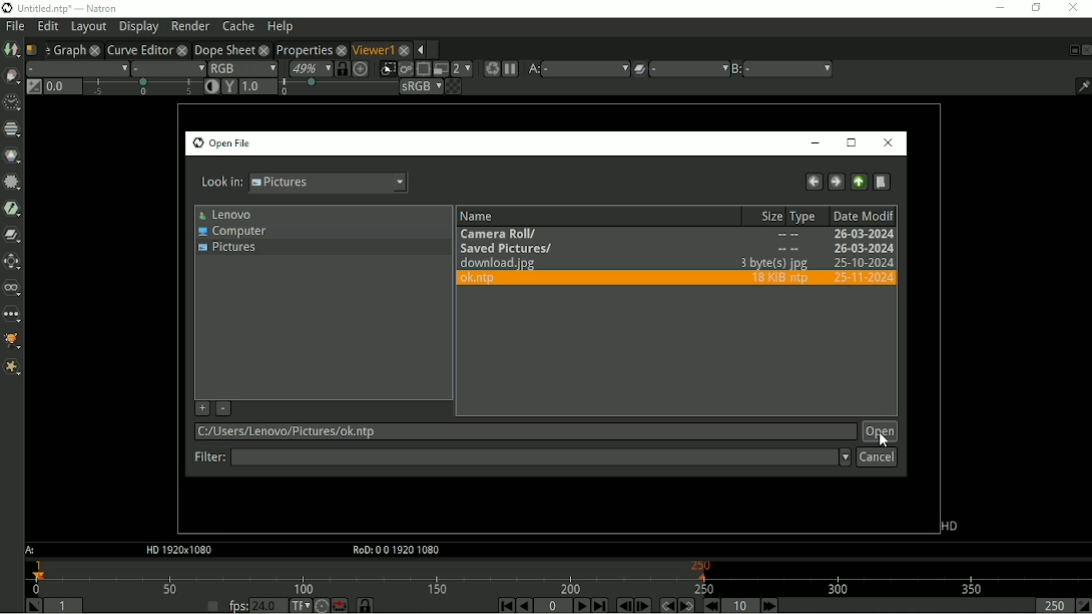 Image resolution: width=1092 pixels, height=614 pixels. What do you see at coordinates (1079, 85) in the screenshot?
I see `Information bar` at bounding box center [1079, 85].